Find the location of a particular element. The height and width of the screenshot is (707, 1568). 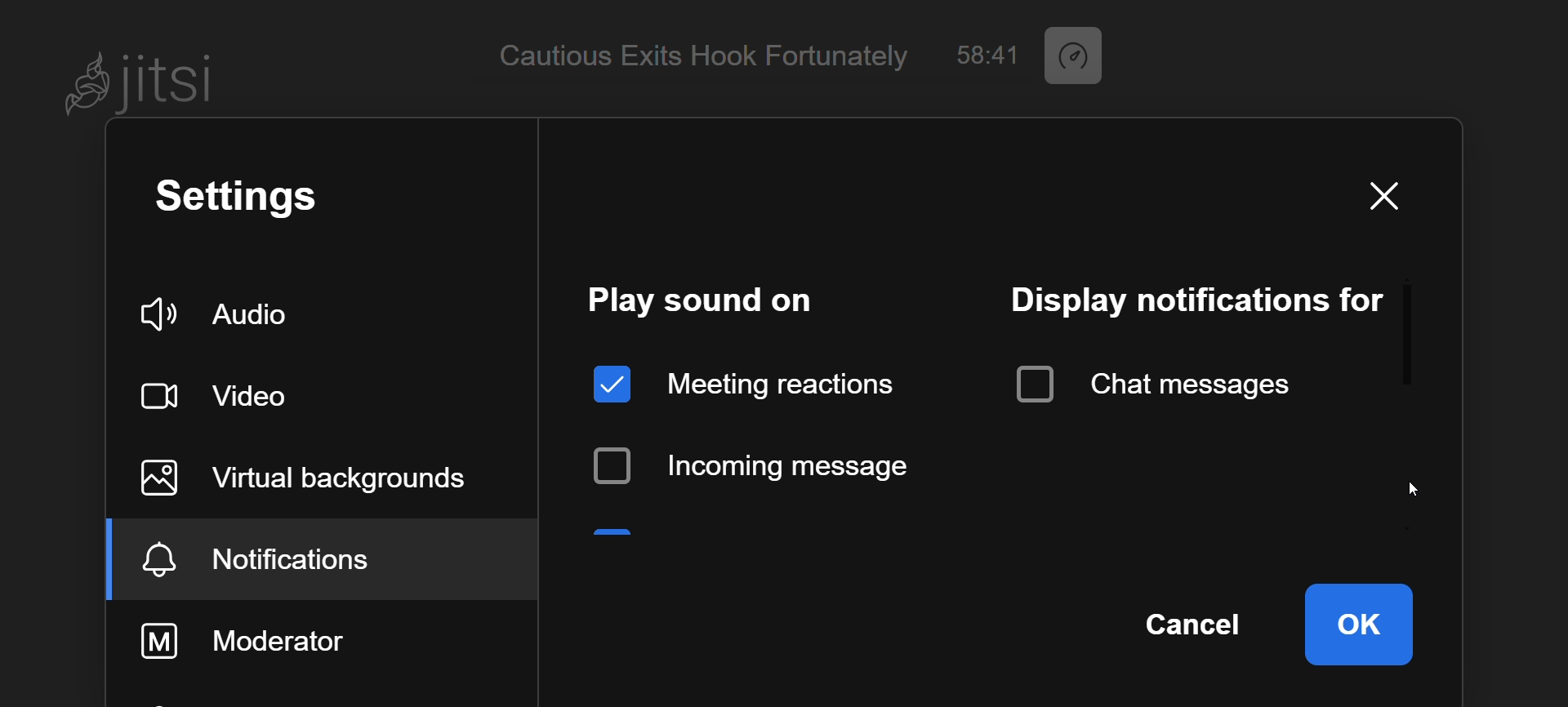

incoming message is located at coordinates (755, 463).